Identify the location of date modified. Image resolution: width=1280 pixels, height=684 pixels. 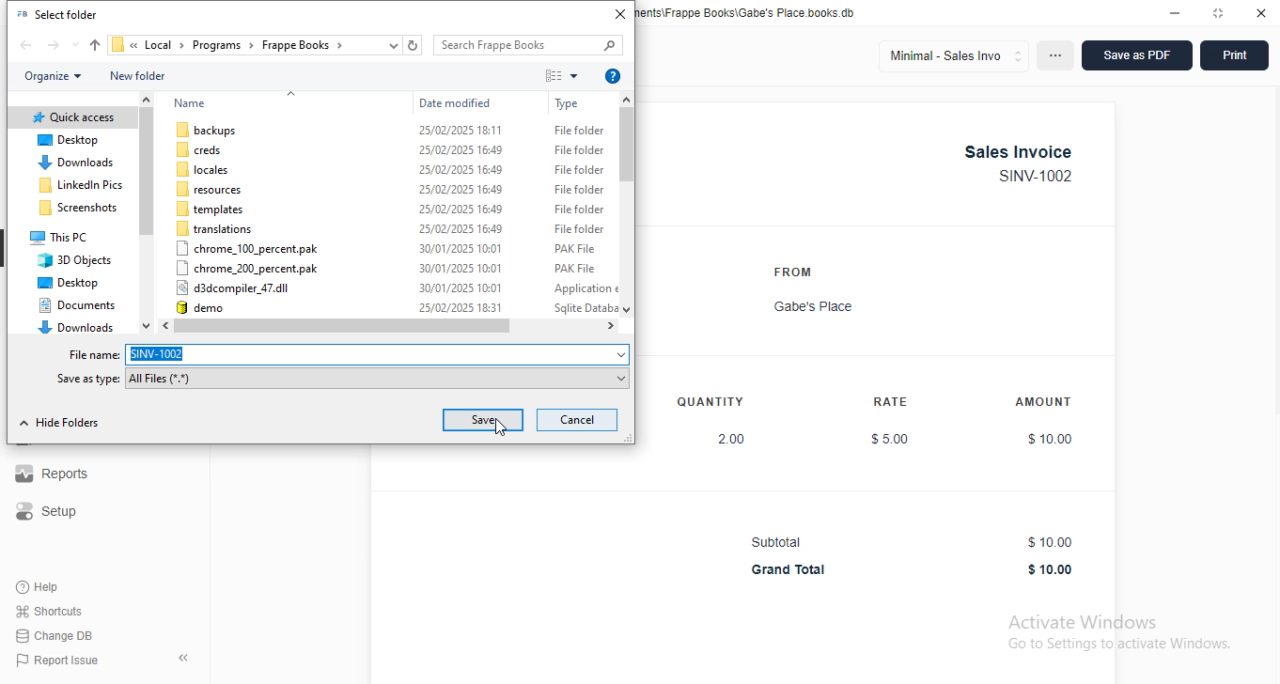
(455, 103).